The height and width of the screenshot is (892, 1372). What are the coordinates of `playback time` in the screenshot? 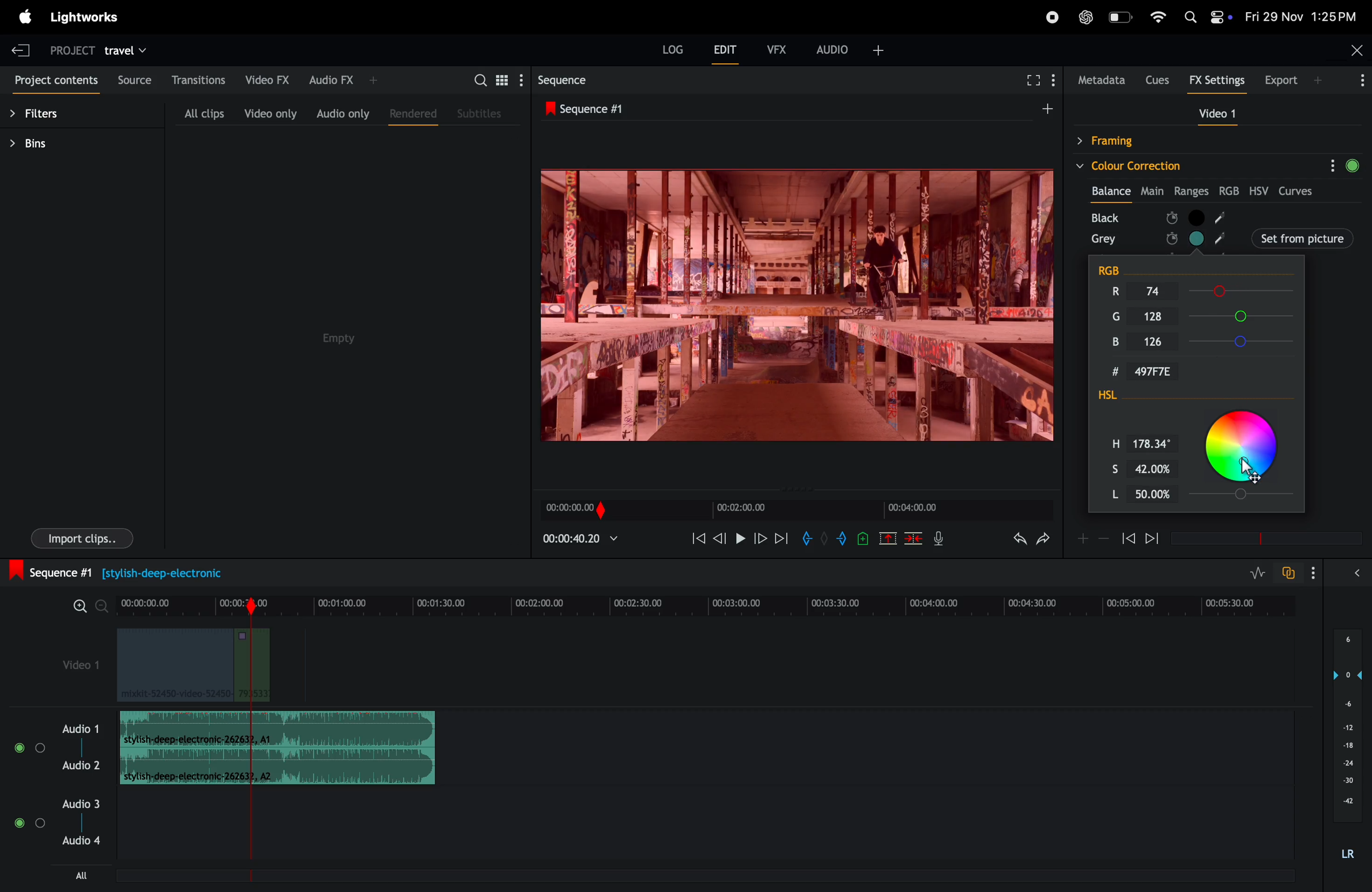 It's located at (589, 541).